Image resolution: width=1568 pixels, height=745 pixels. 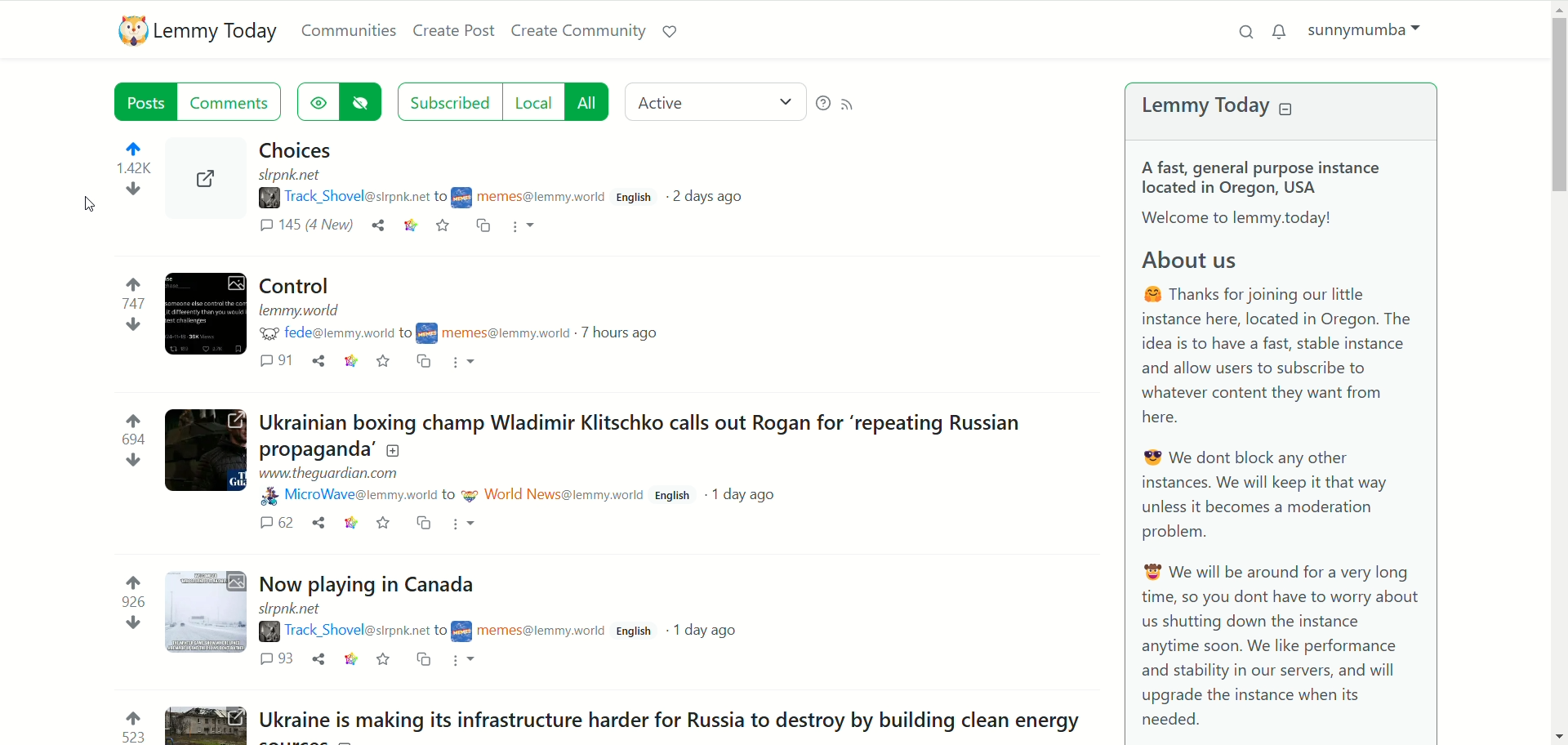 What do you see at coordinates (356, 631) in the screenshot?
I see `username` at bounding box center [356, 631].